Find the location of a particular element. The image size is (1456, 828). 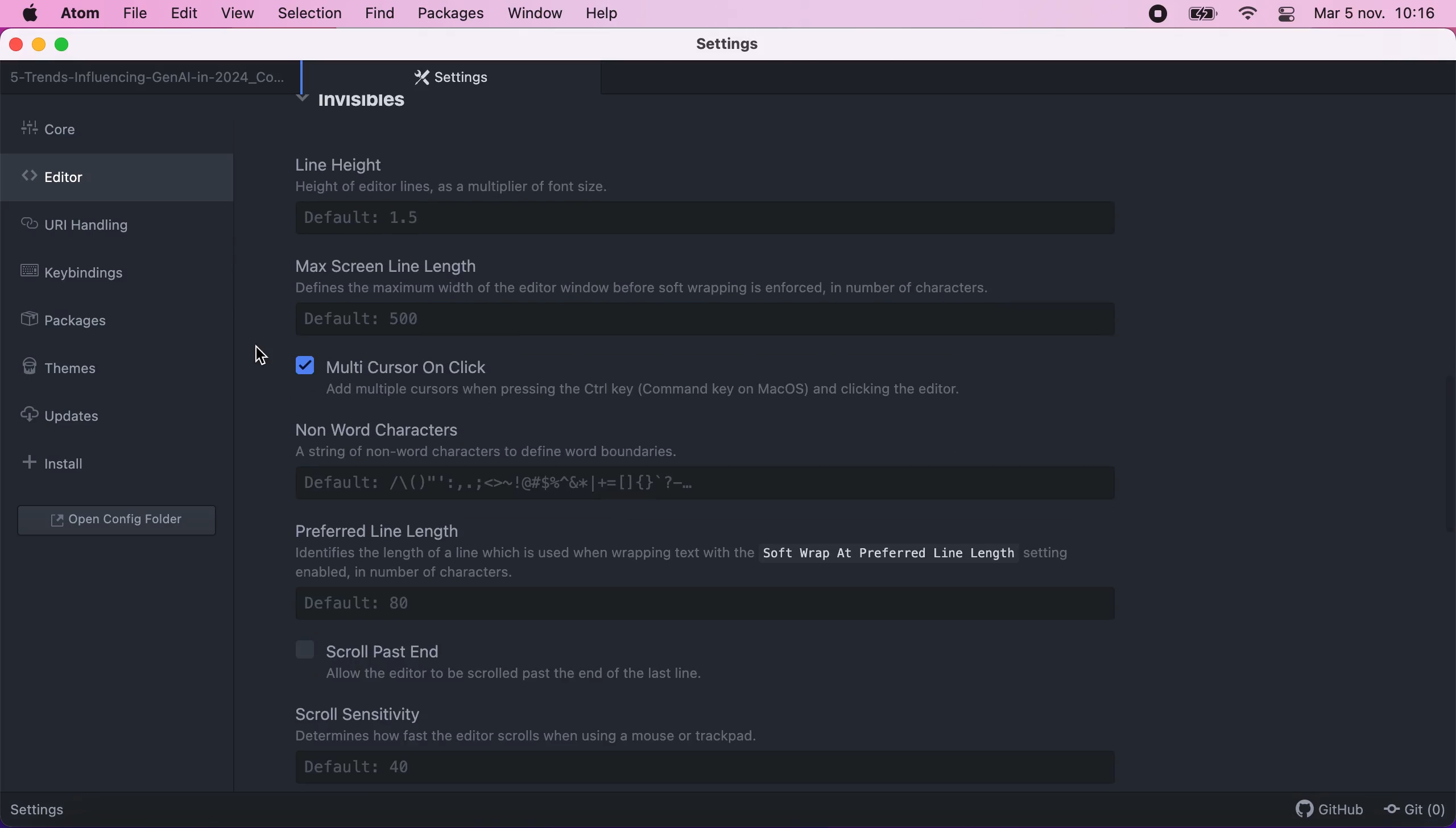

battery is located at coordinates (1202, 14).